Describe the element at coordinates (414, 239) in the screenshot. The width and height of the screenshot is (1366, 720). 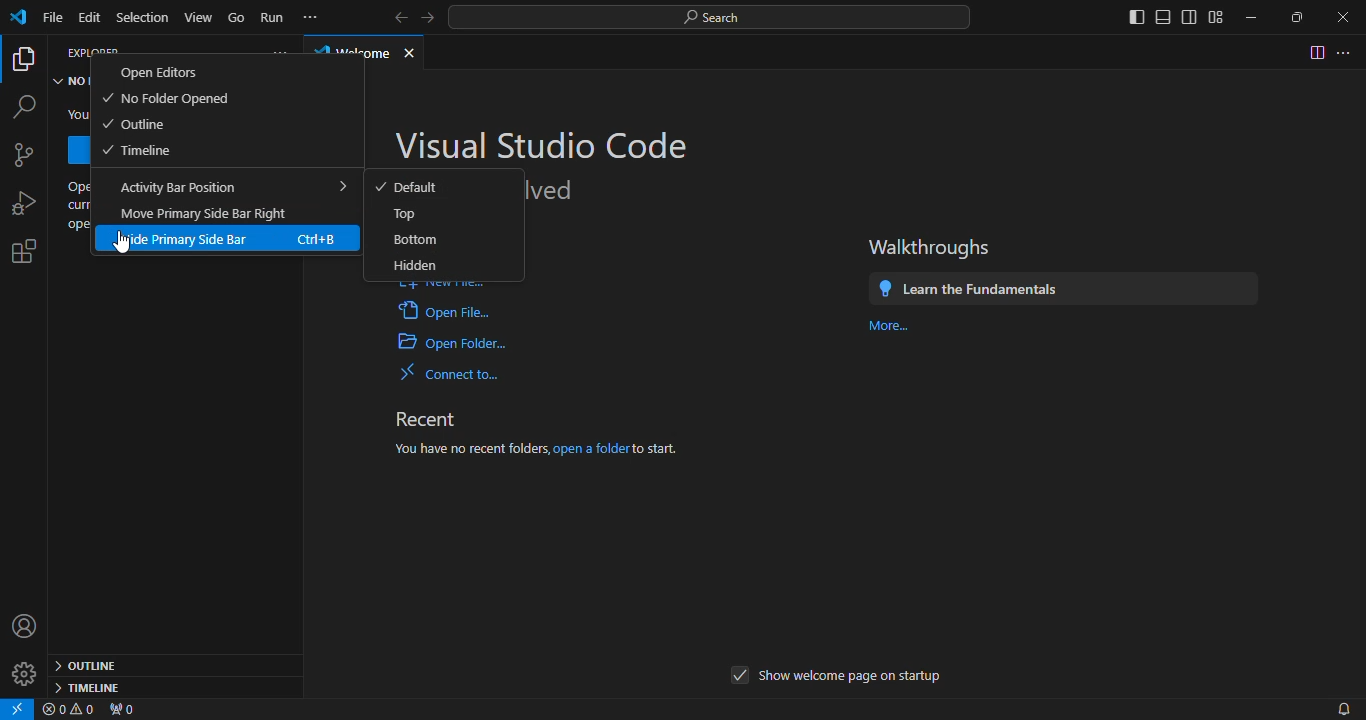
I see `Bottom` at that location.